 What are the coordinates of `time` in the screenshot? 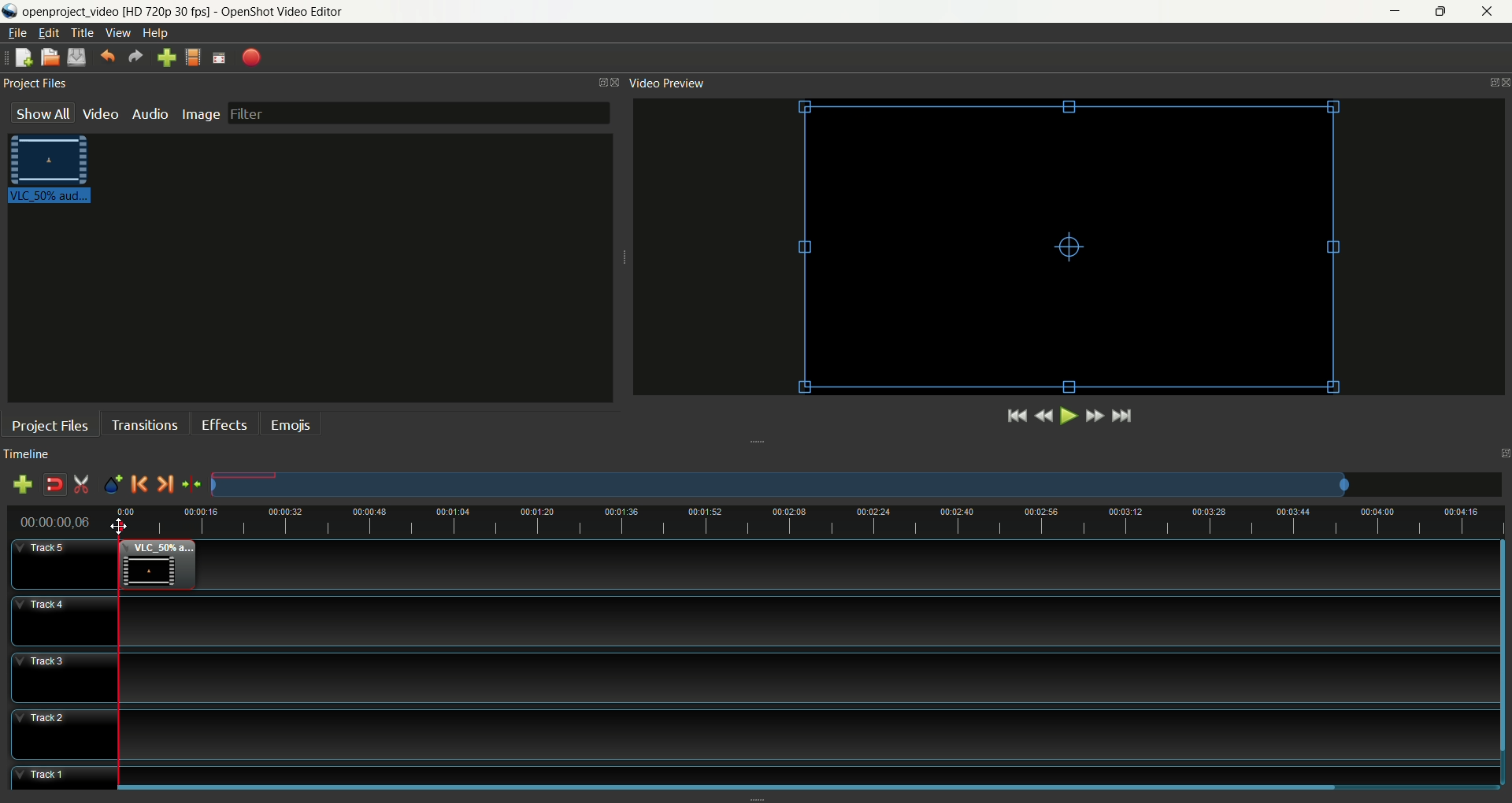 It's located at (62, 522).